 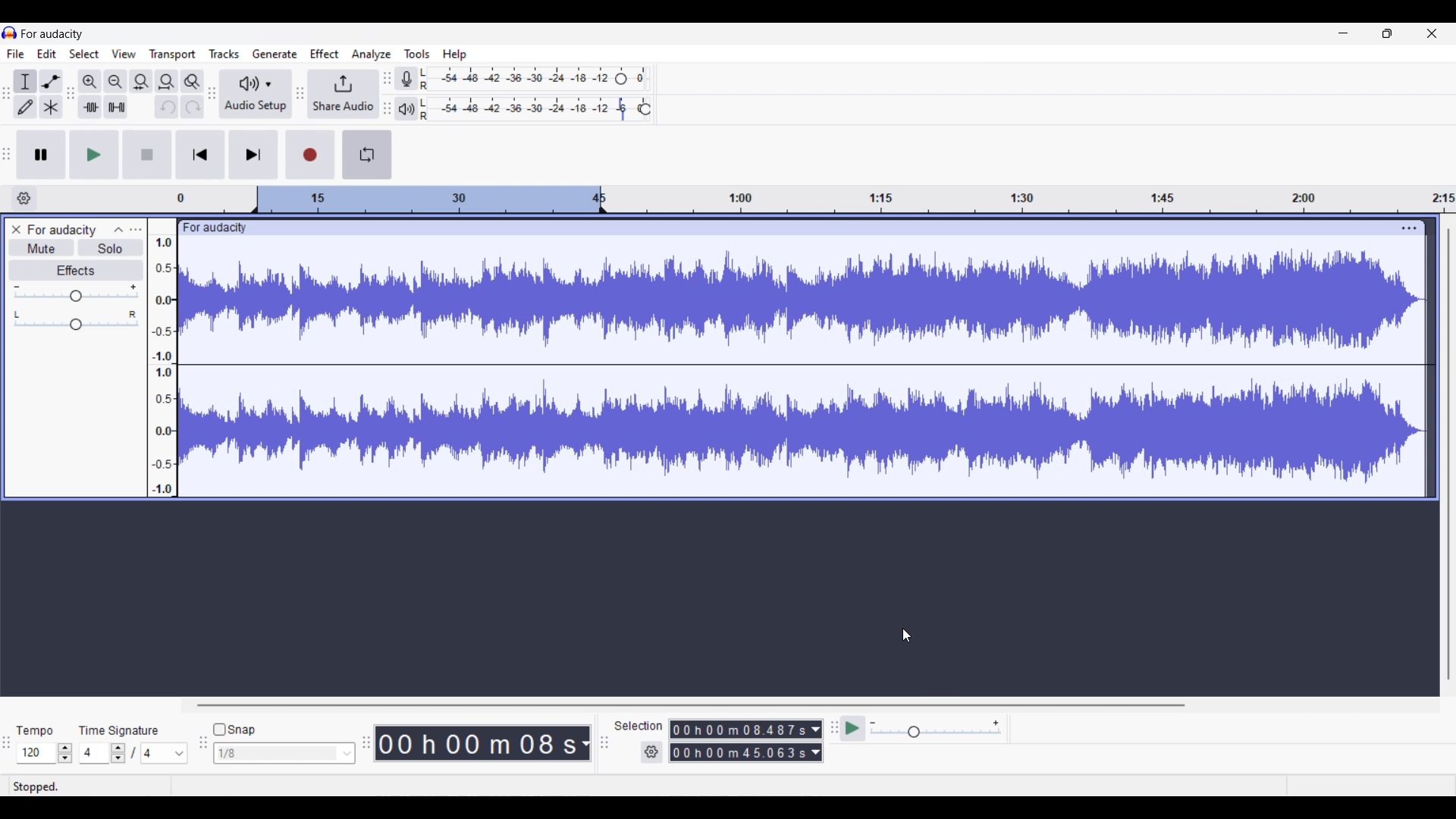 What do you see at coordinates (117, 107) in the screenshot?
I see `Silence audio selection` at bounding box center [117, 107].